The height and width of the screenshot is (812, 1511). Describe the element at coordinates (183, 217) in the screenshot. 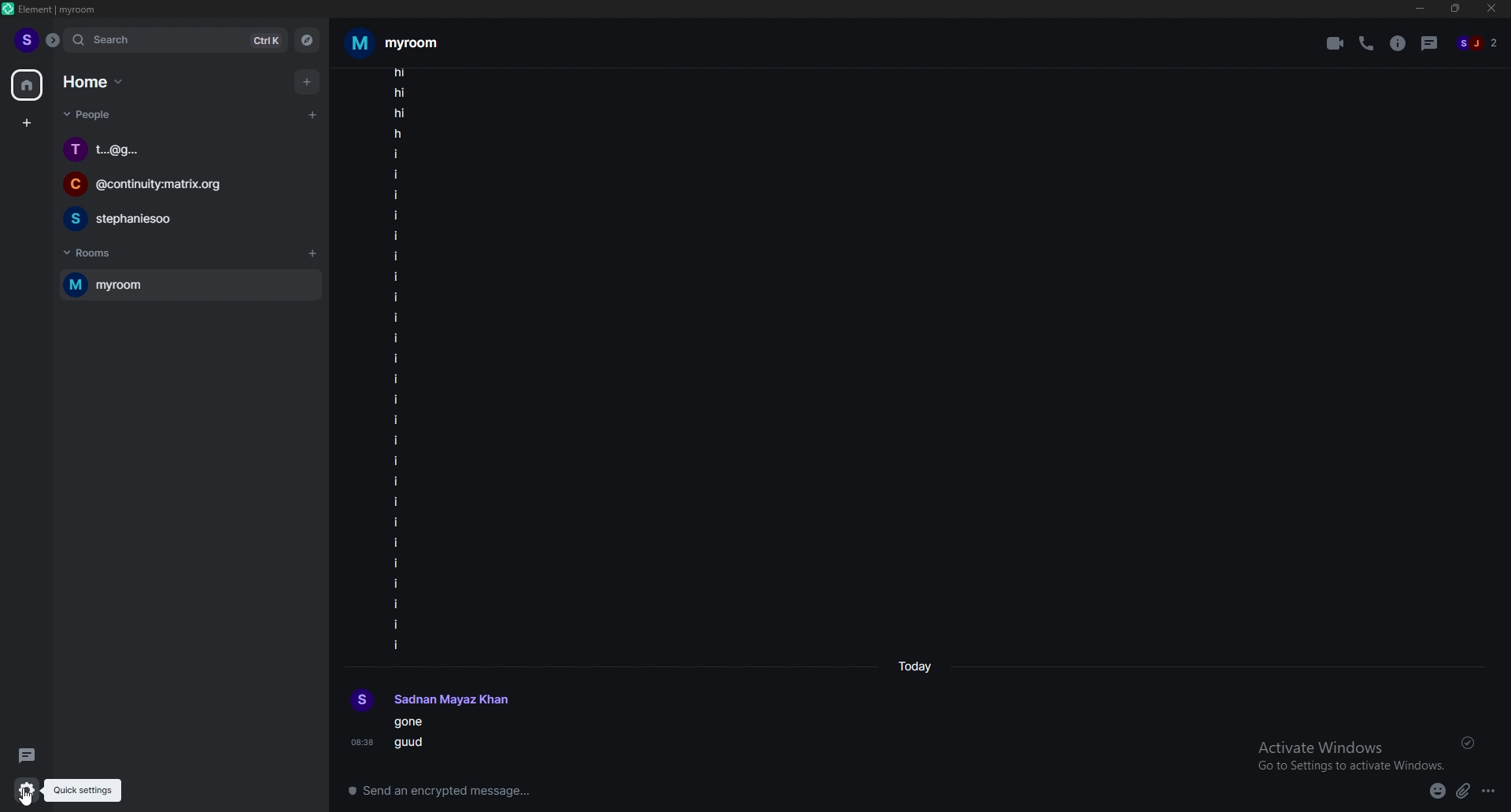

I see `chat` at that location.